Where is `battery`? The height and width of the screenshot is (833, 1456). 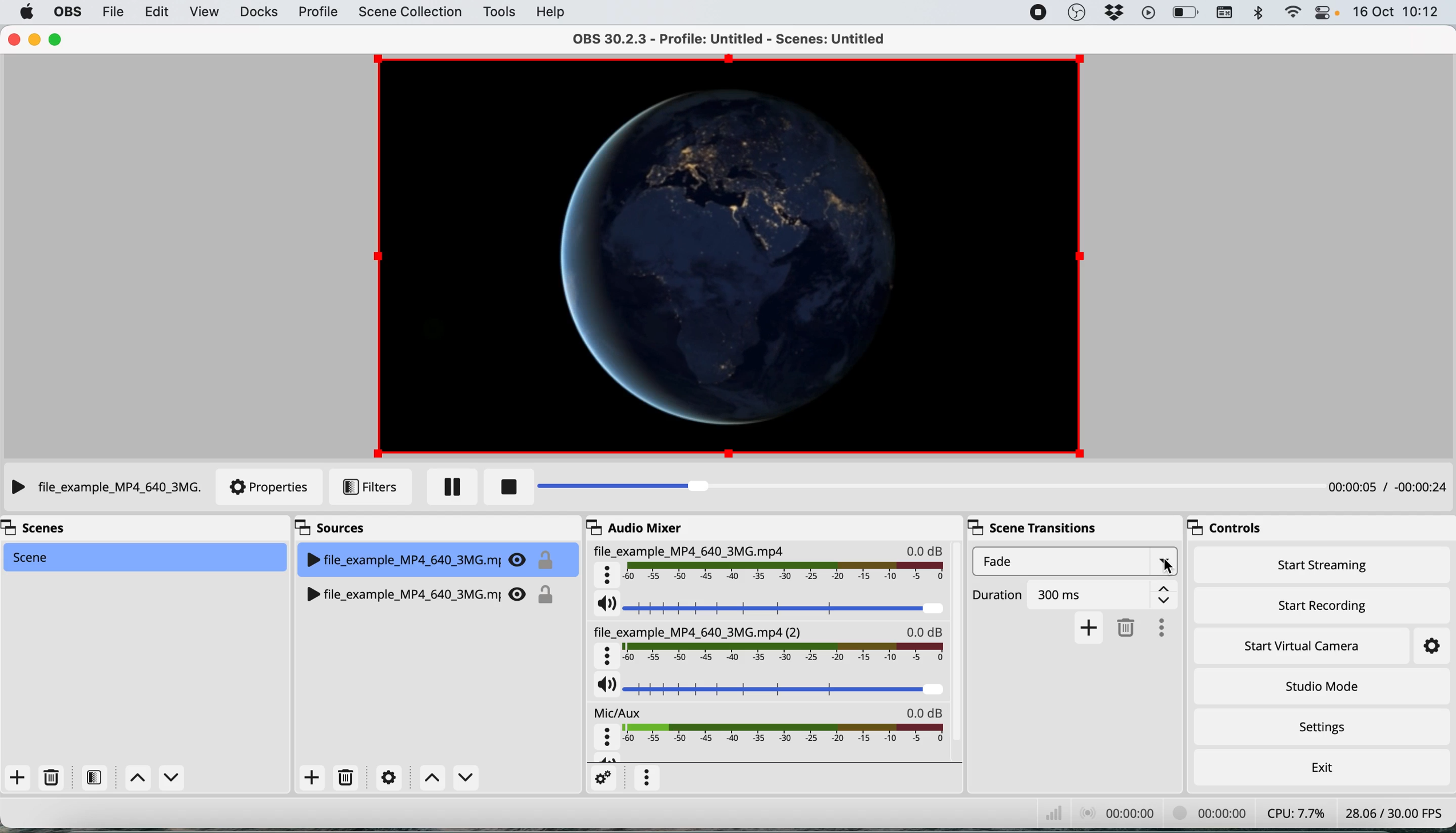 battery is located at coordinates (1187, 13).